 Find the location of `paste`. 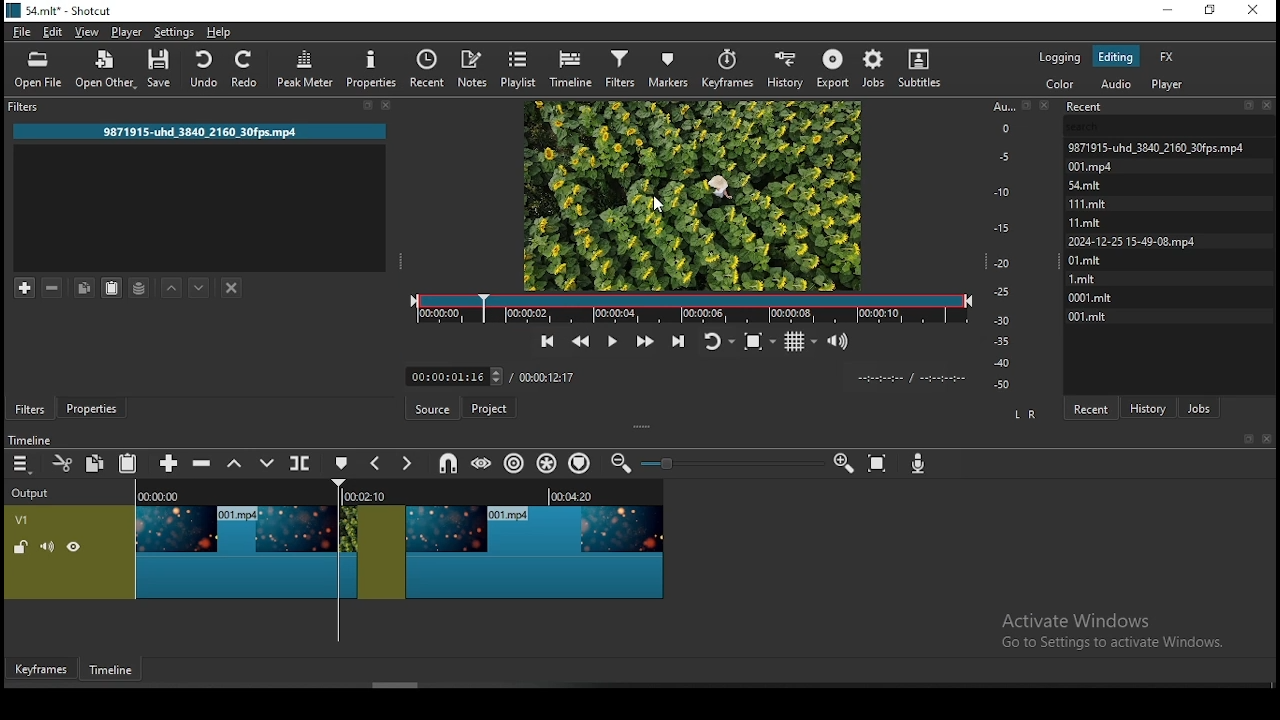

paste is located at coordinates (111, 288).